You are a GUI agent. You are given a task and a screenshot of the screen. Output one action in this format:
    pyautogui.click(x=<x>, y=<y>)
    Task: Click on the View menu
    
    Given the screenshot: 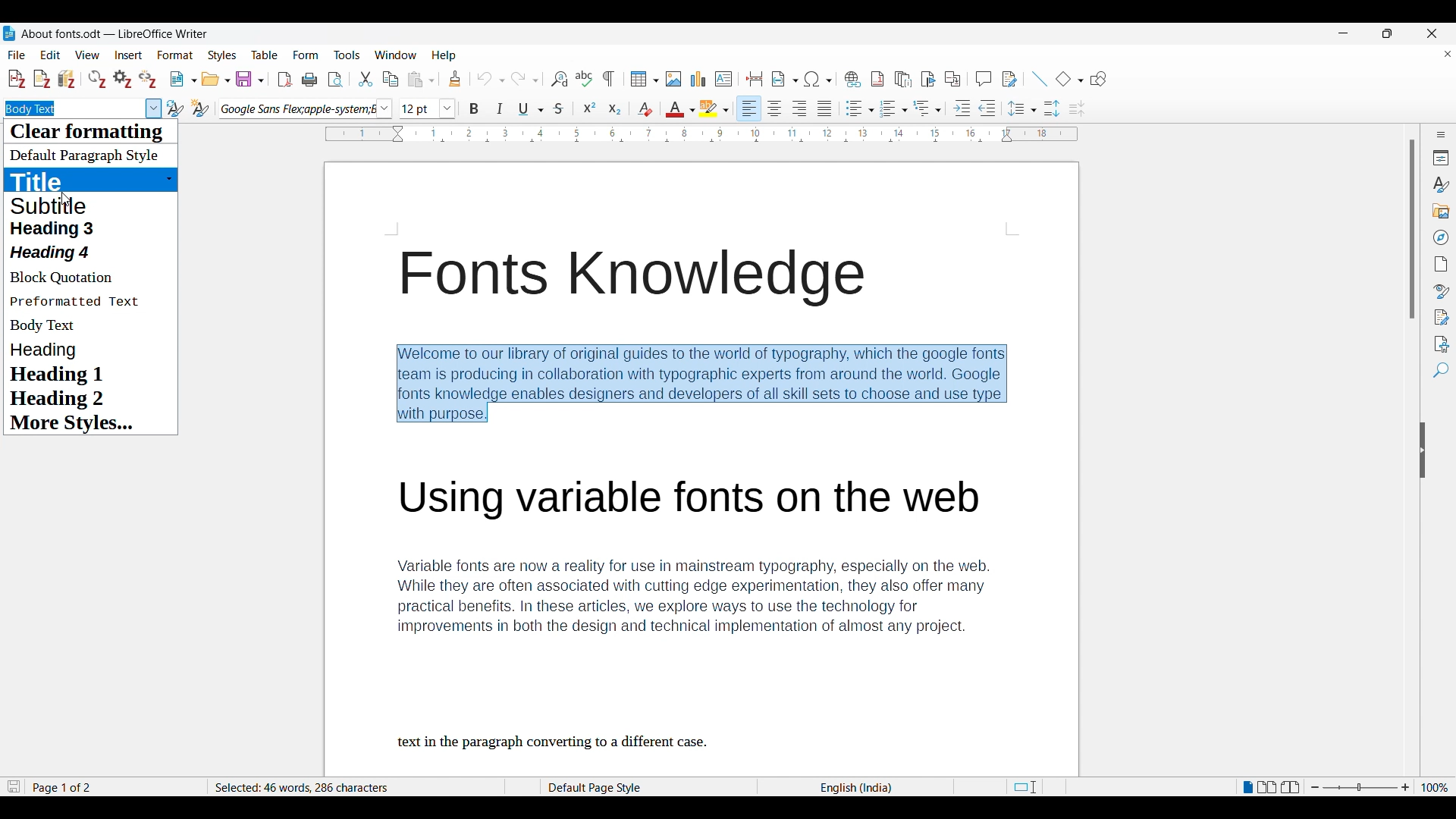 What is the action you would take?
    pyautogui.click(x=88, y=55)
    